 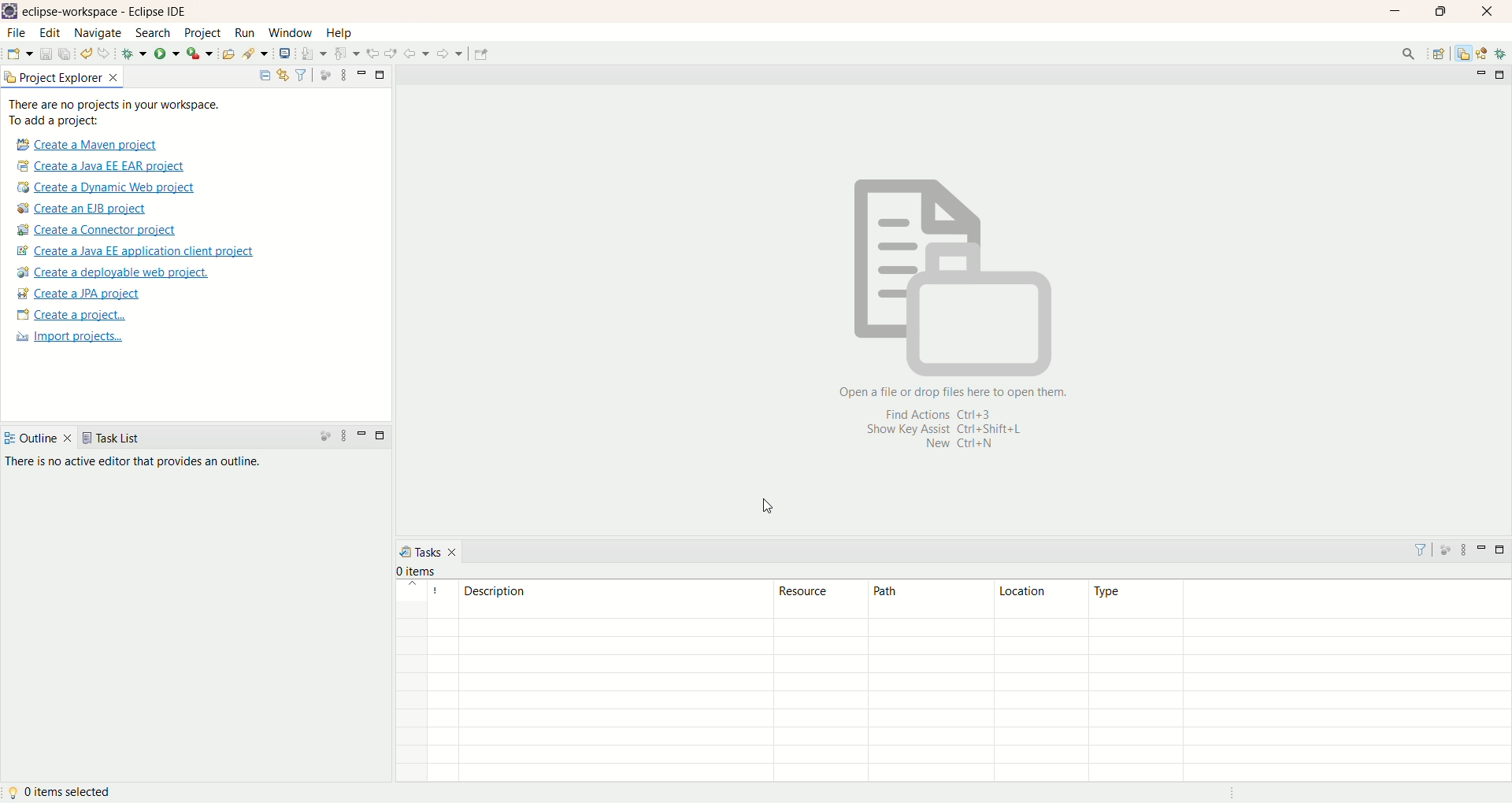 I want to click on create an EJB project, so click(x=87, y=208).